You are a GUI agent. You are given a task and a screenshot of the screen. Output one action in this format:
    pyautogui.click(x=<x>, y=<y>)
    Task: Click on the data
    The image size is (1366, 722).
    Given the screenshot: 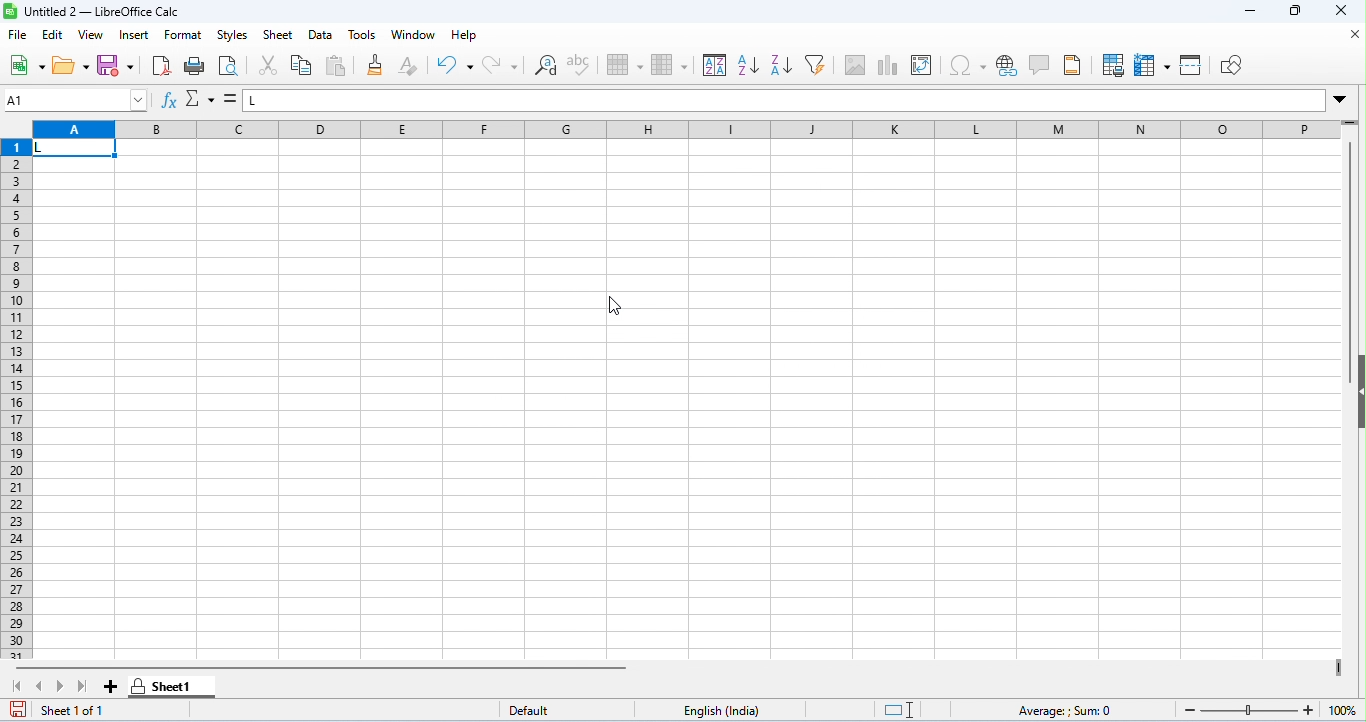 What is the action you would take?
    pyautogui.click(x=323, y=36)
    